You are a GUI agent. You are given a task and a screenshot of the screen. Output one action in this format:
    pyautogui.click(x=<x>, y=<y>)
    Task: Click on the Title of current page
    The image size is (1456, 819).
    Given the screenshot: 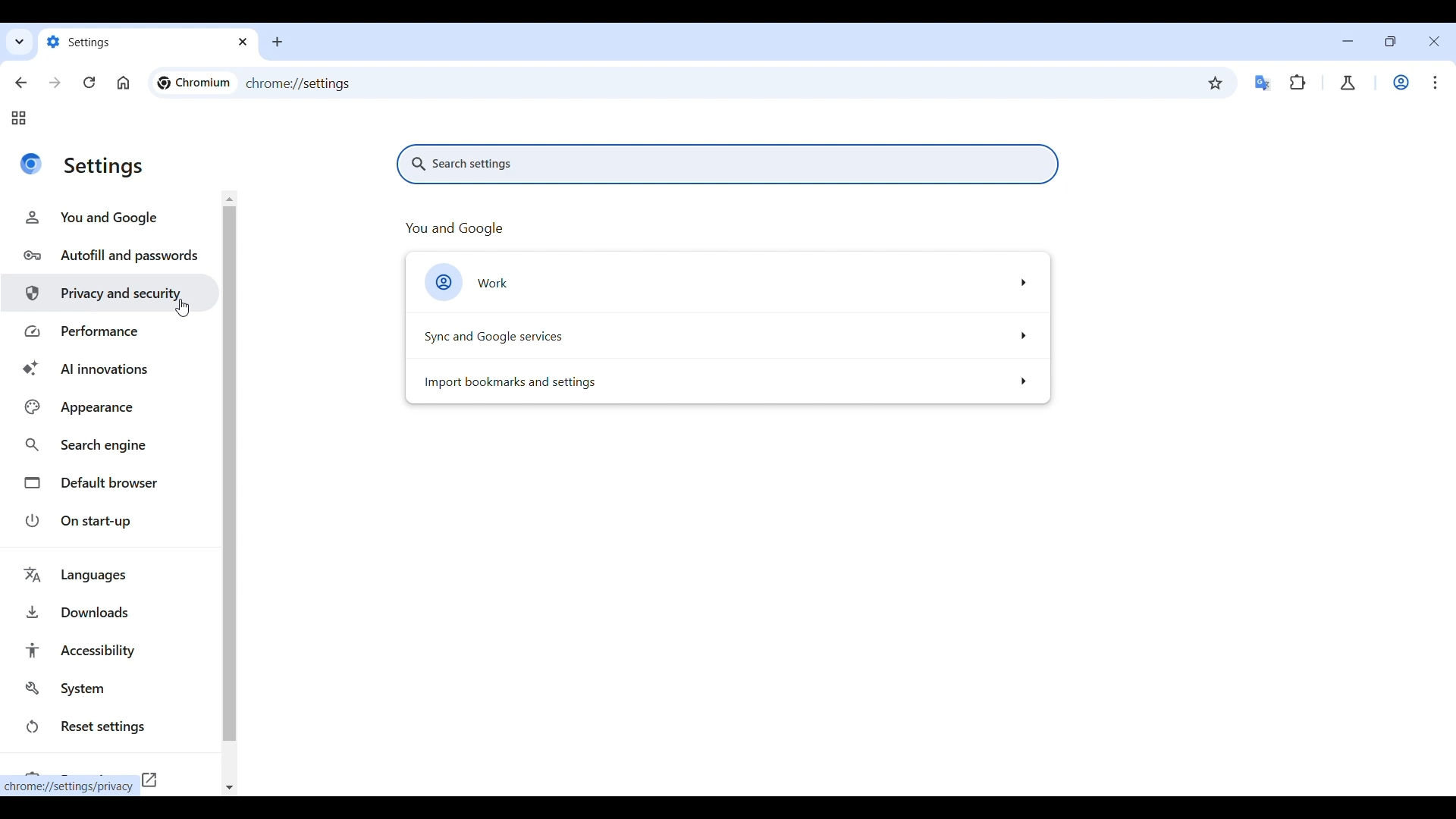 What is the action you would take?
    pyautogui.click(x=103, y=168)
    